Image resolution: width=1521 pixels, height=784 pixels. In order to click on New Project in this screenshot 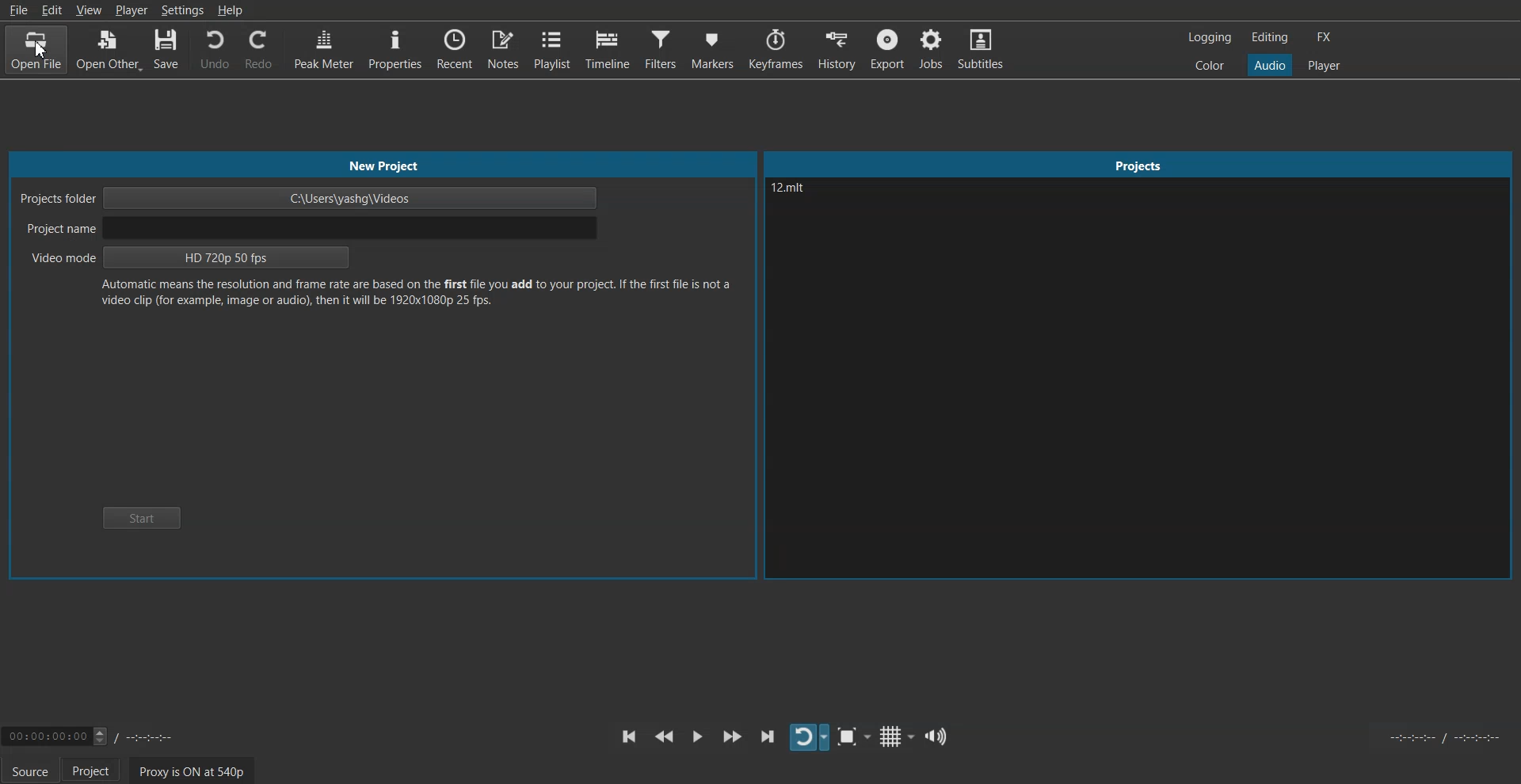, I will do `click(381, 165)`.